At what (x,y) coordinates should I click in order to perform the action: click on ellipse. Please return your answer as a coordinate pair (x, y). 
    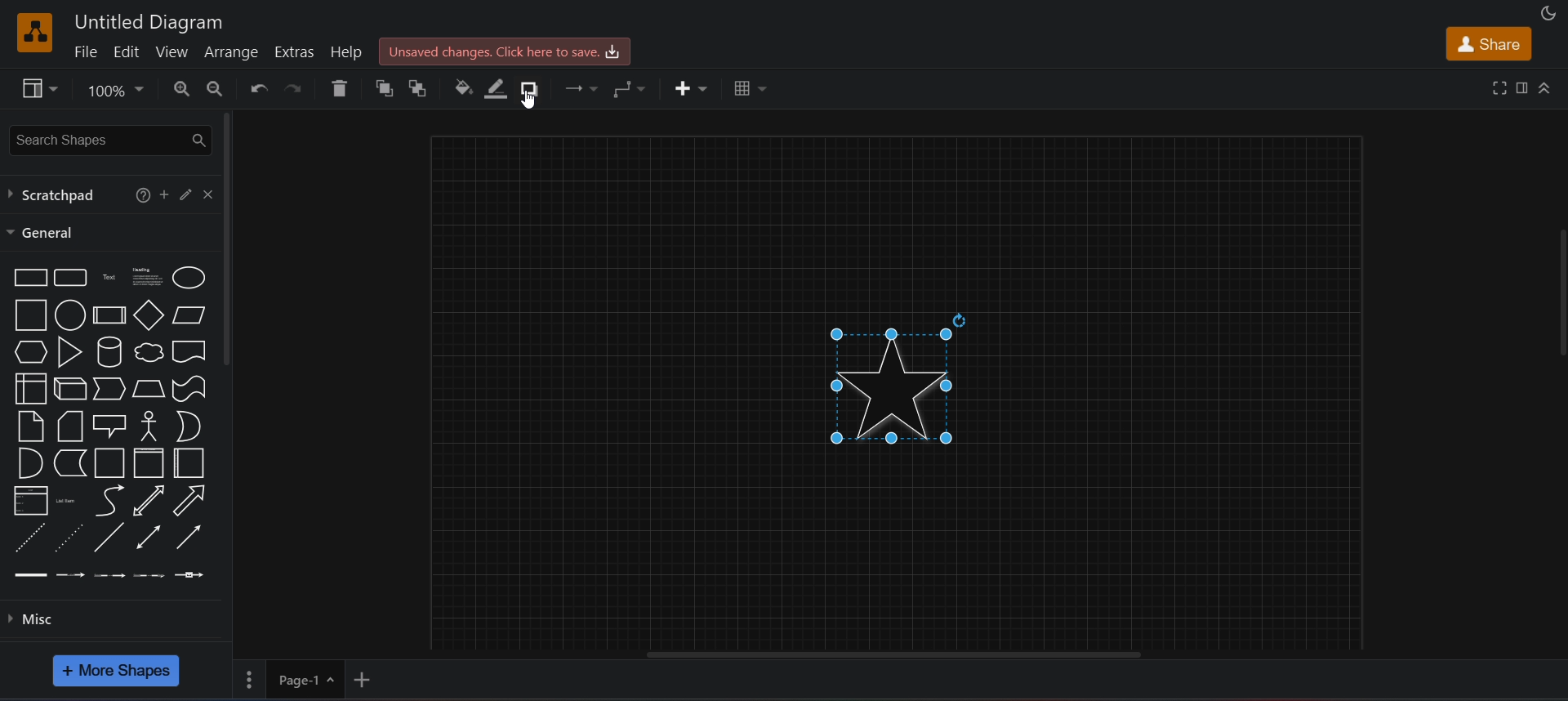
    Looking at the image, I should click on (190, 278).